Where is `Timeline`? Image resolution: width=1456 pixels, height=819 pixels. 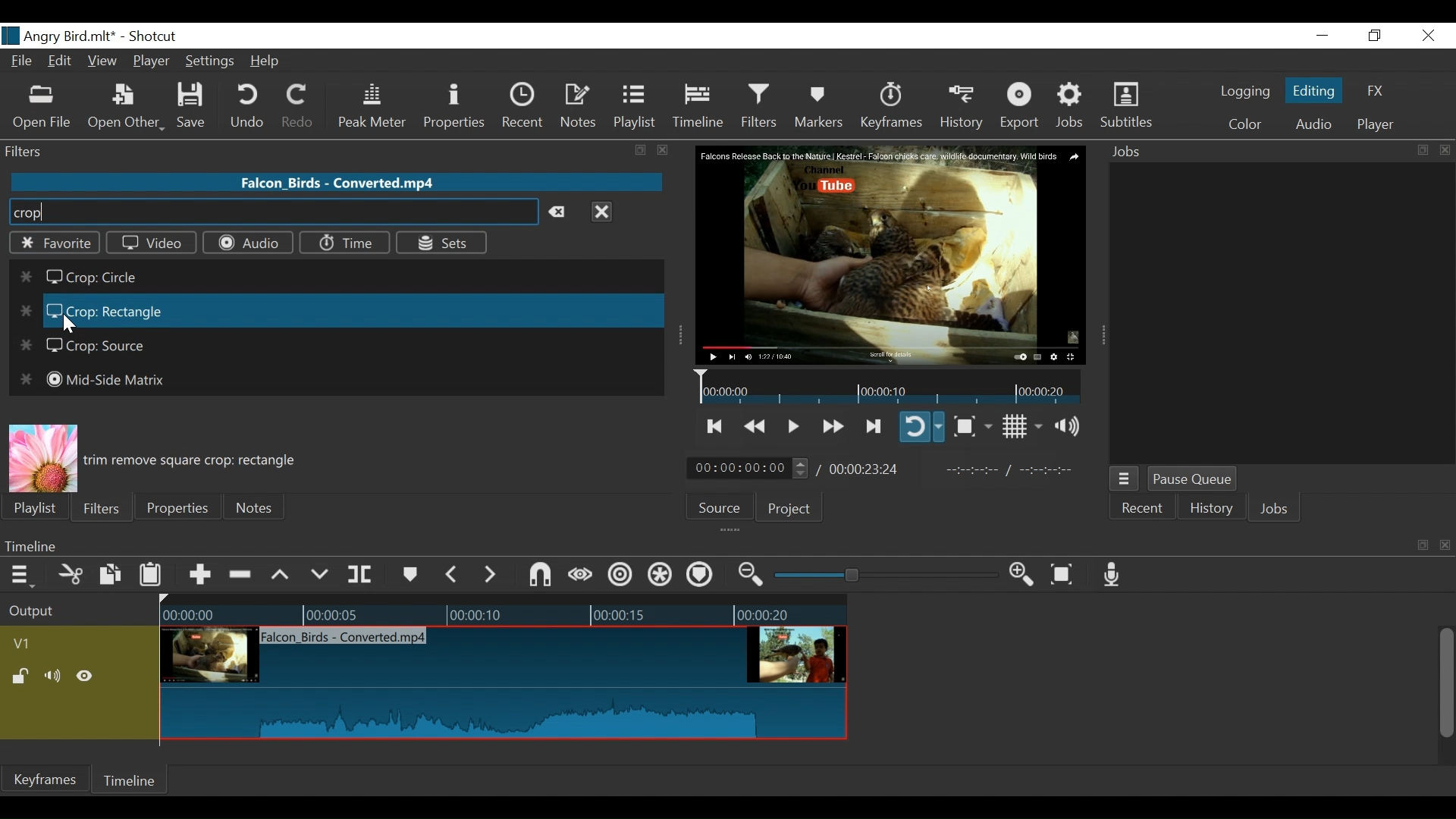 Timeline is located at coordinates (503, 611).